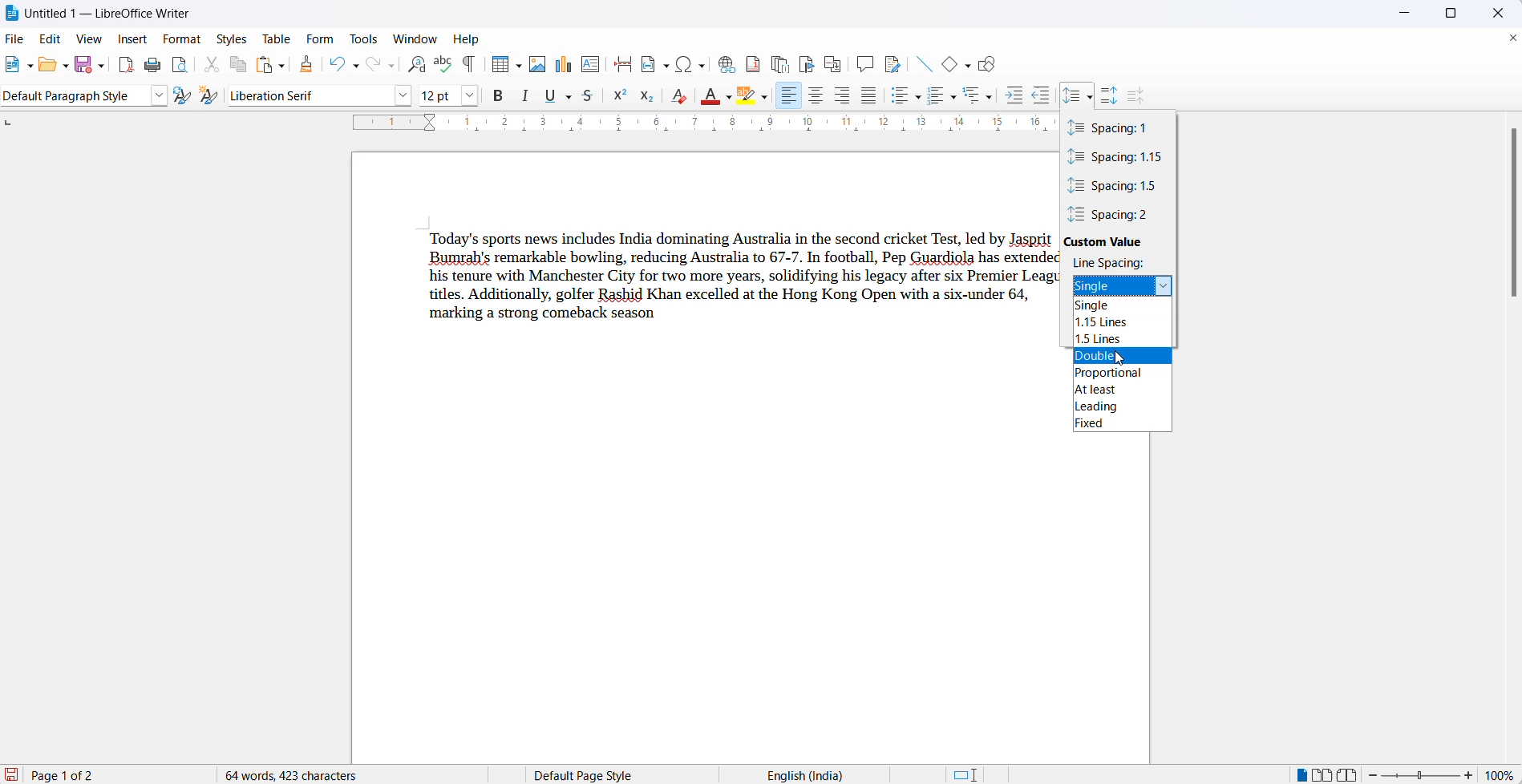 This screenshot has width=1522, height=784. I want to click on text language, so click(804, 774).